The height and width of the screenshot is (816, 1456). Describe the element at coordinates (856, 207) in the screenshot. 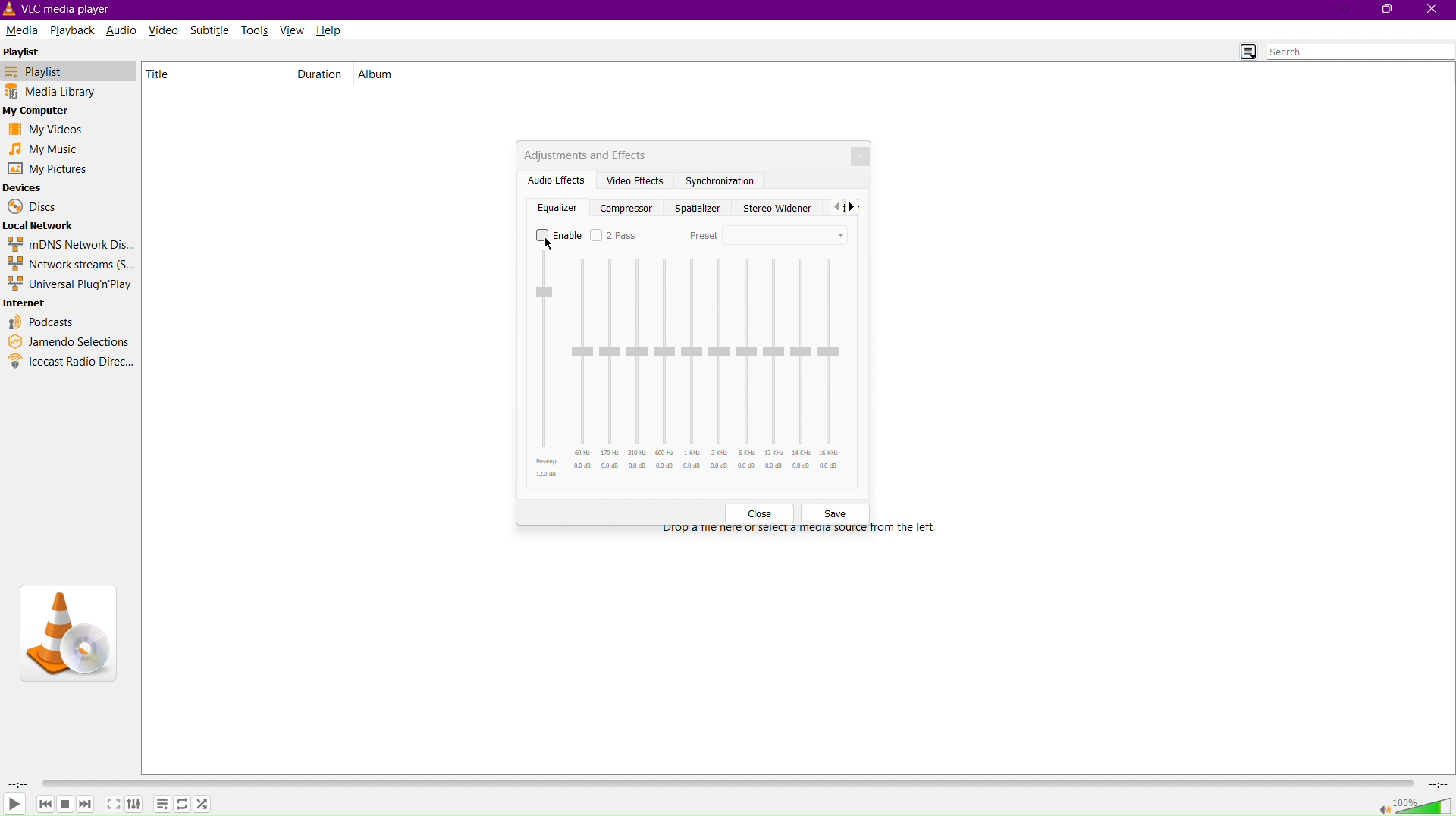

I see `Front` at that location.